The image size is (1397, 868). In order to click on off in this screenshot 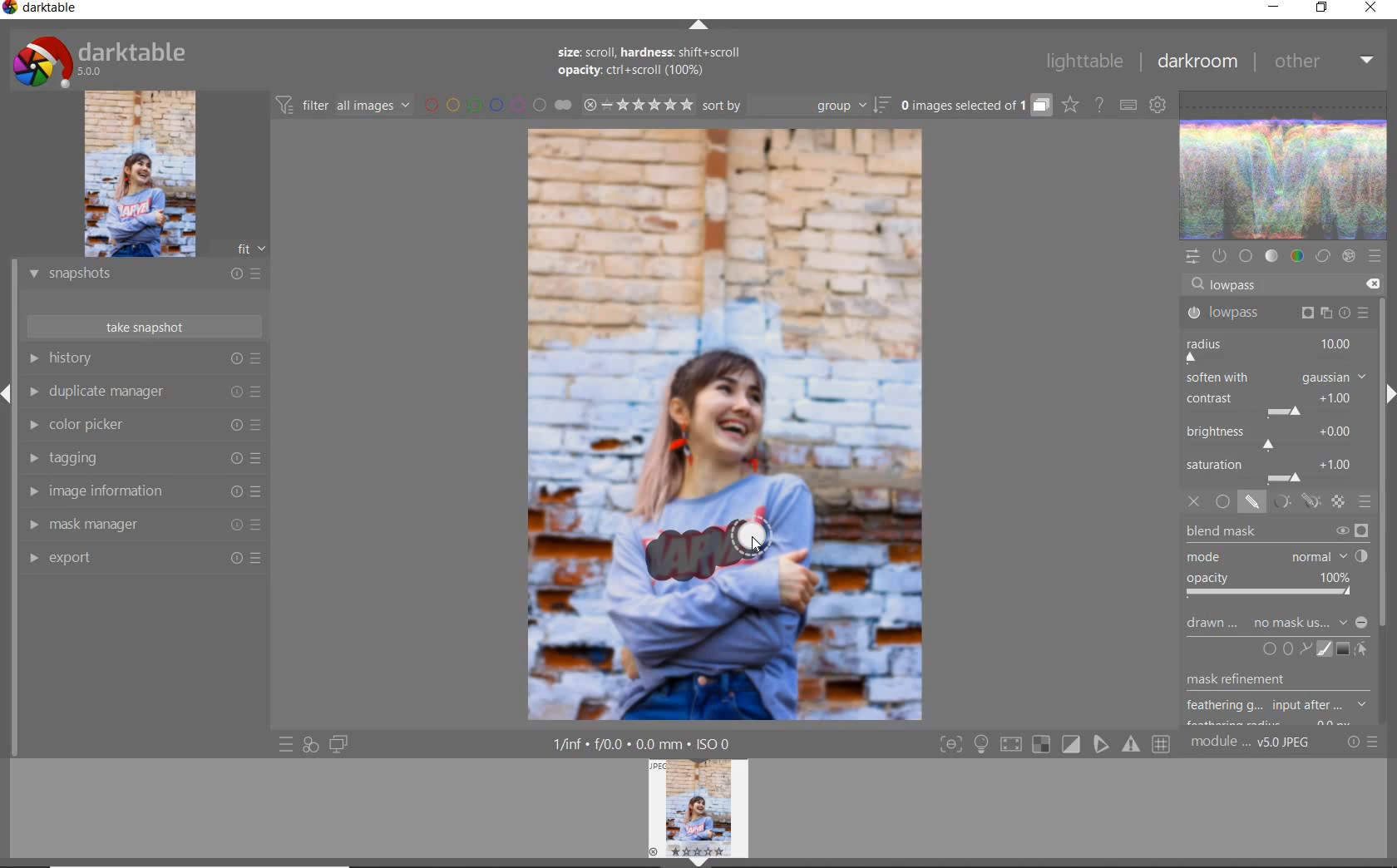, I will do `click(1197, 503)`.